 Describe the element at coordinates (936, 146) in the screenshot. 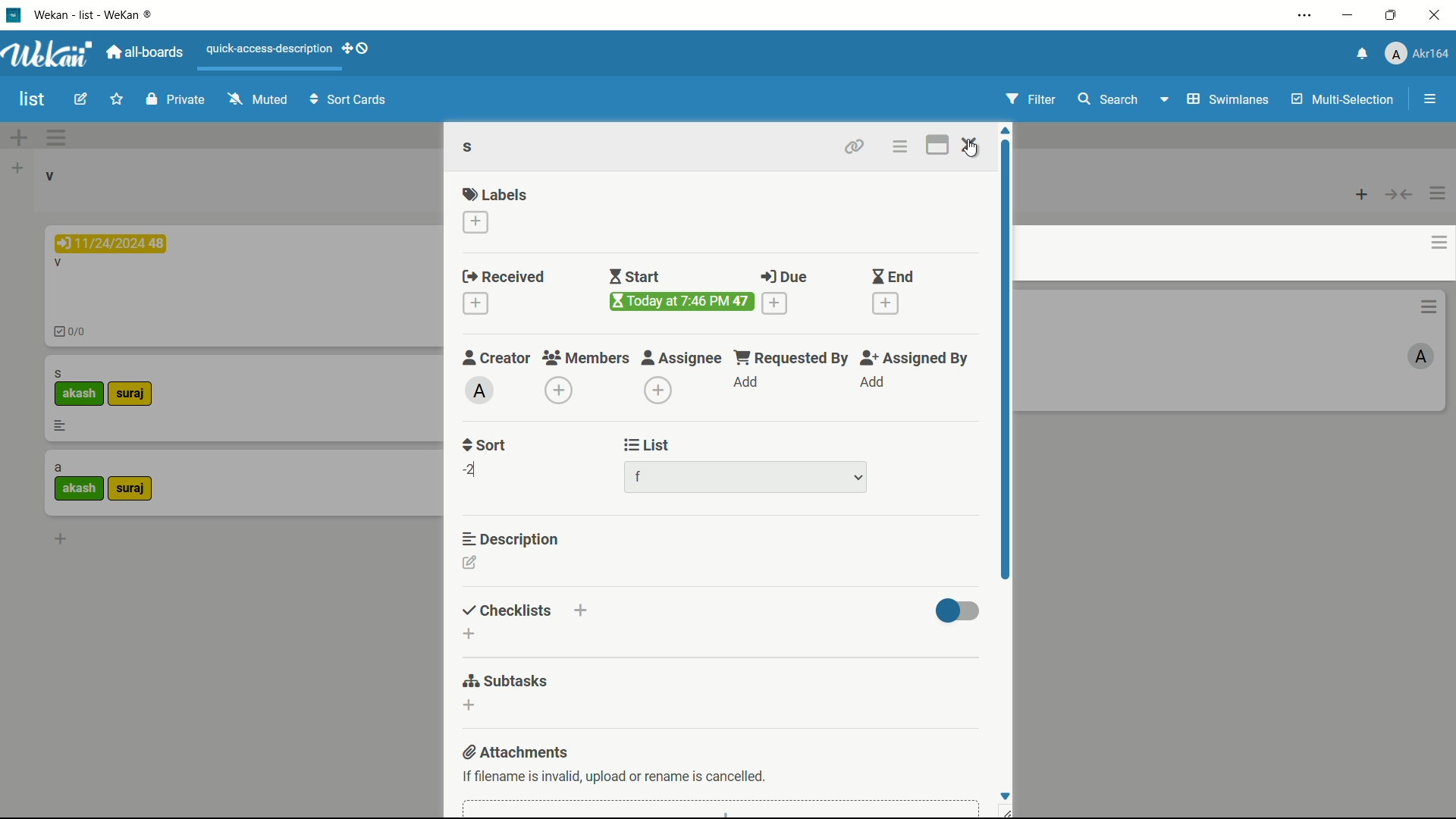

I see `maximize card` at that location.